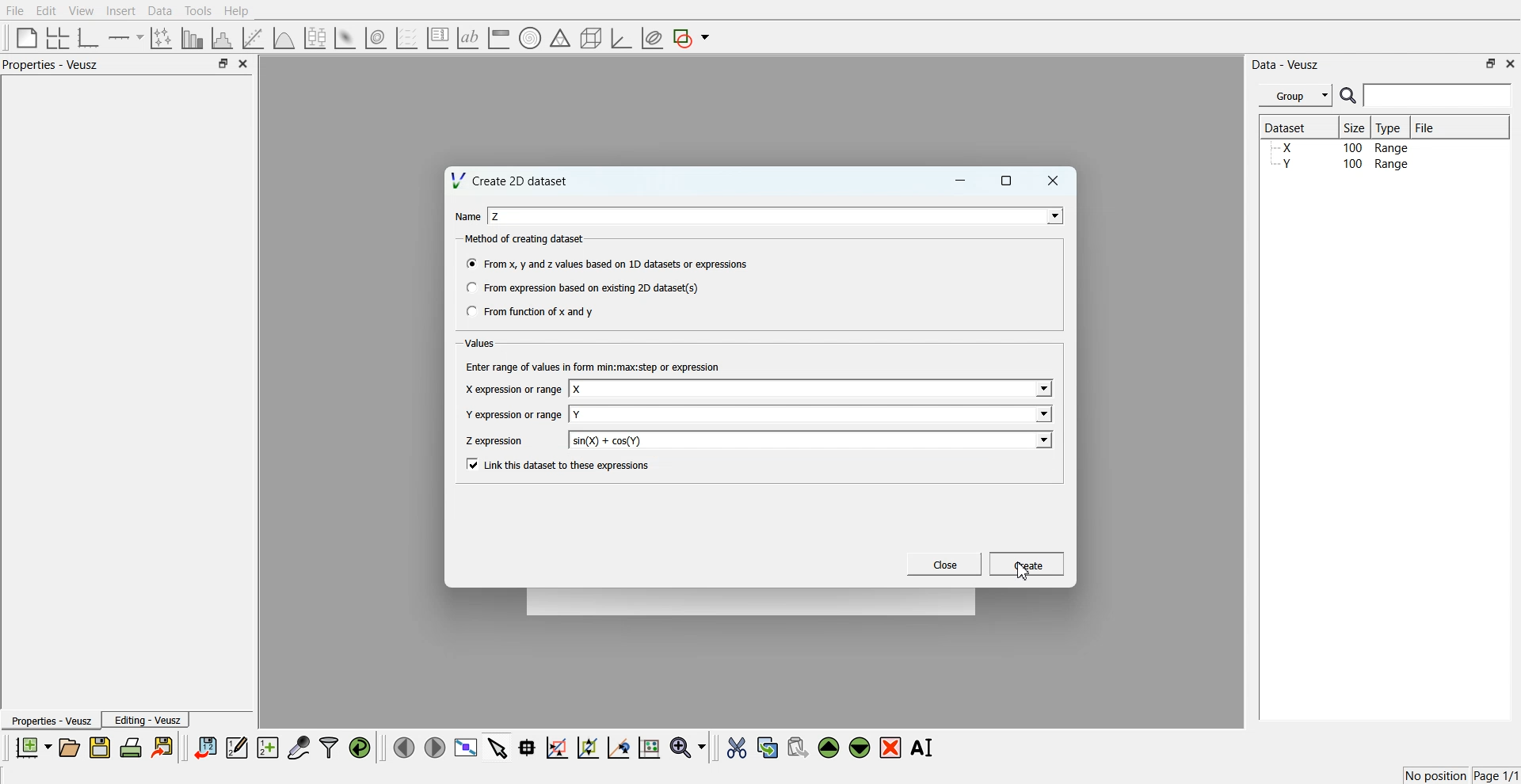  Describe the element at coordinates (812, 440) in the screenshot. I see `Enter name` at that location.